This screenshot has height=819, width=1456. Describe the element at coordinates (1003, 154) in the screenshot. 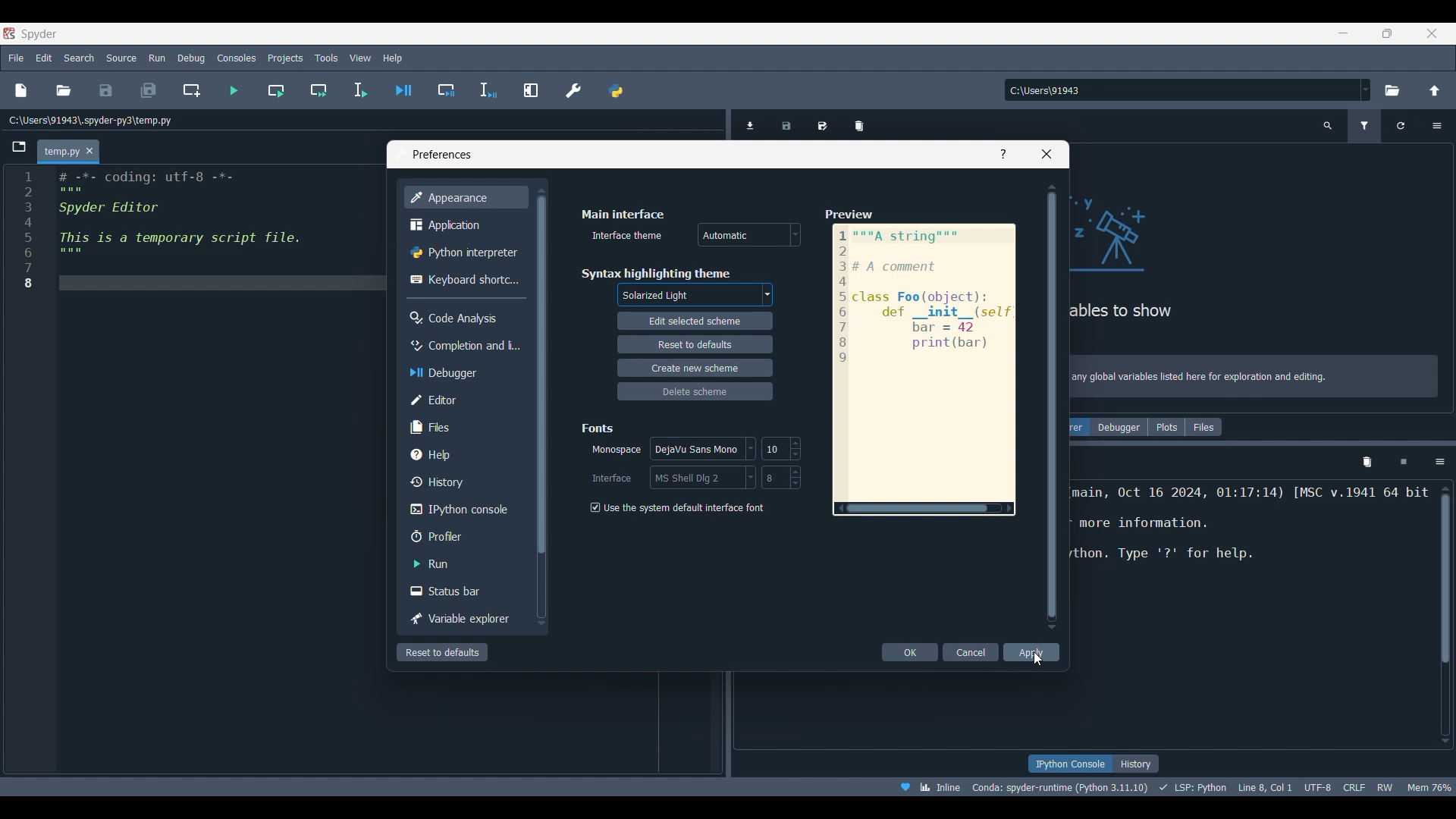

I see `Help` at that location.